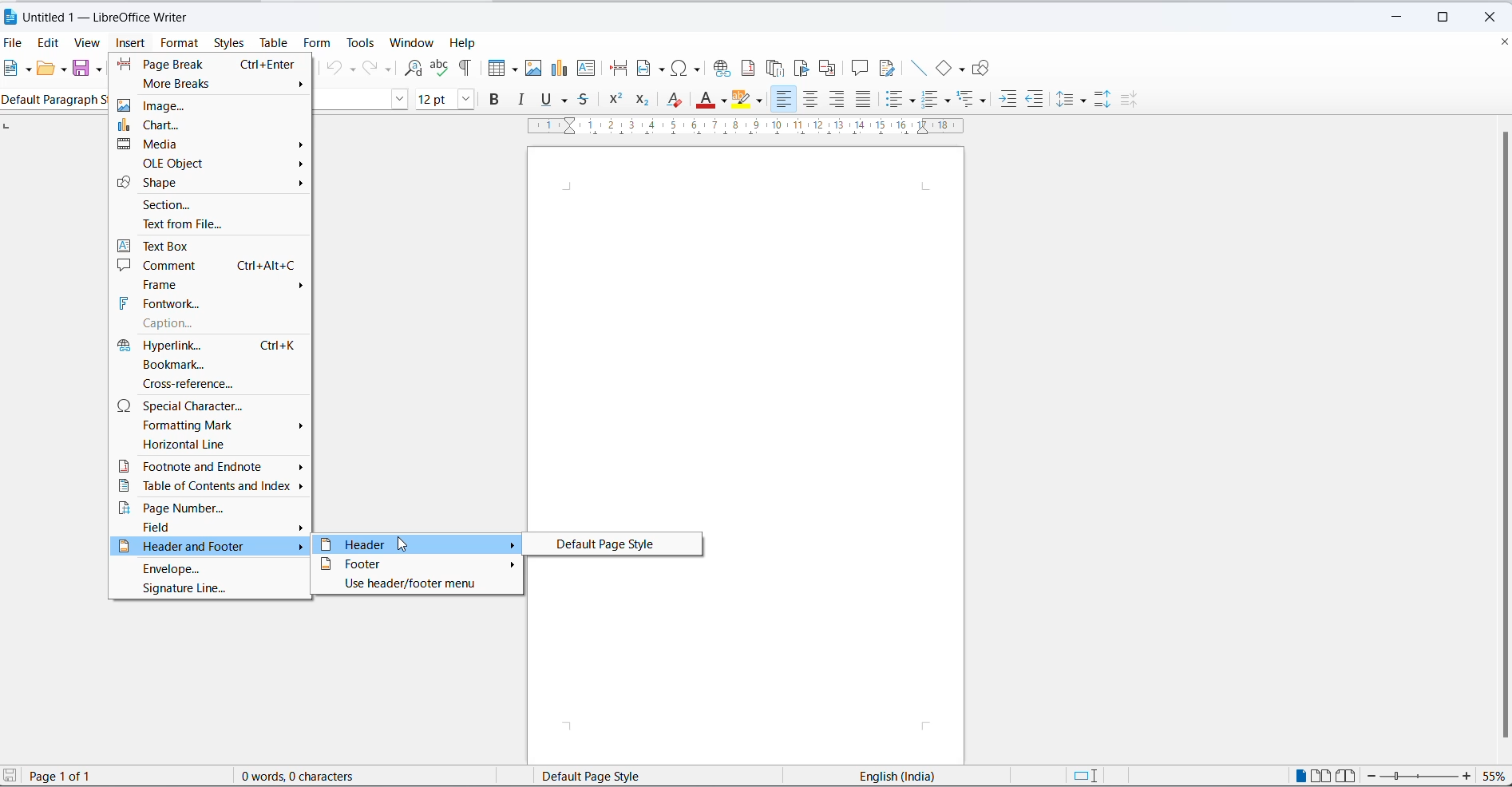 The image size is (1512, 787). Describe the element at coordinates (389, 69) in the screenshot. I see `redo options` at that location.